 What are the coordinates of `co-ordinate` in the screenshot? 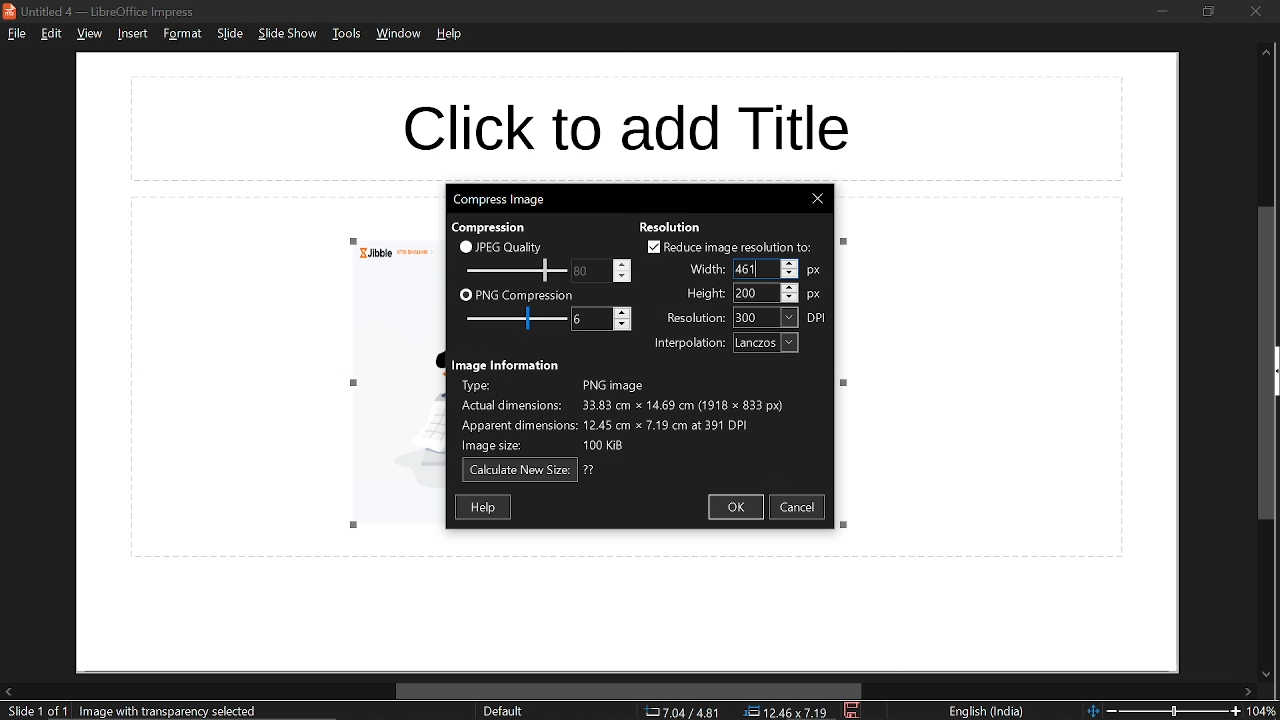 It's located at (682, 712).